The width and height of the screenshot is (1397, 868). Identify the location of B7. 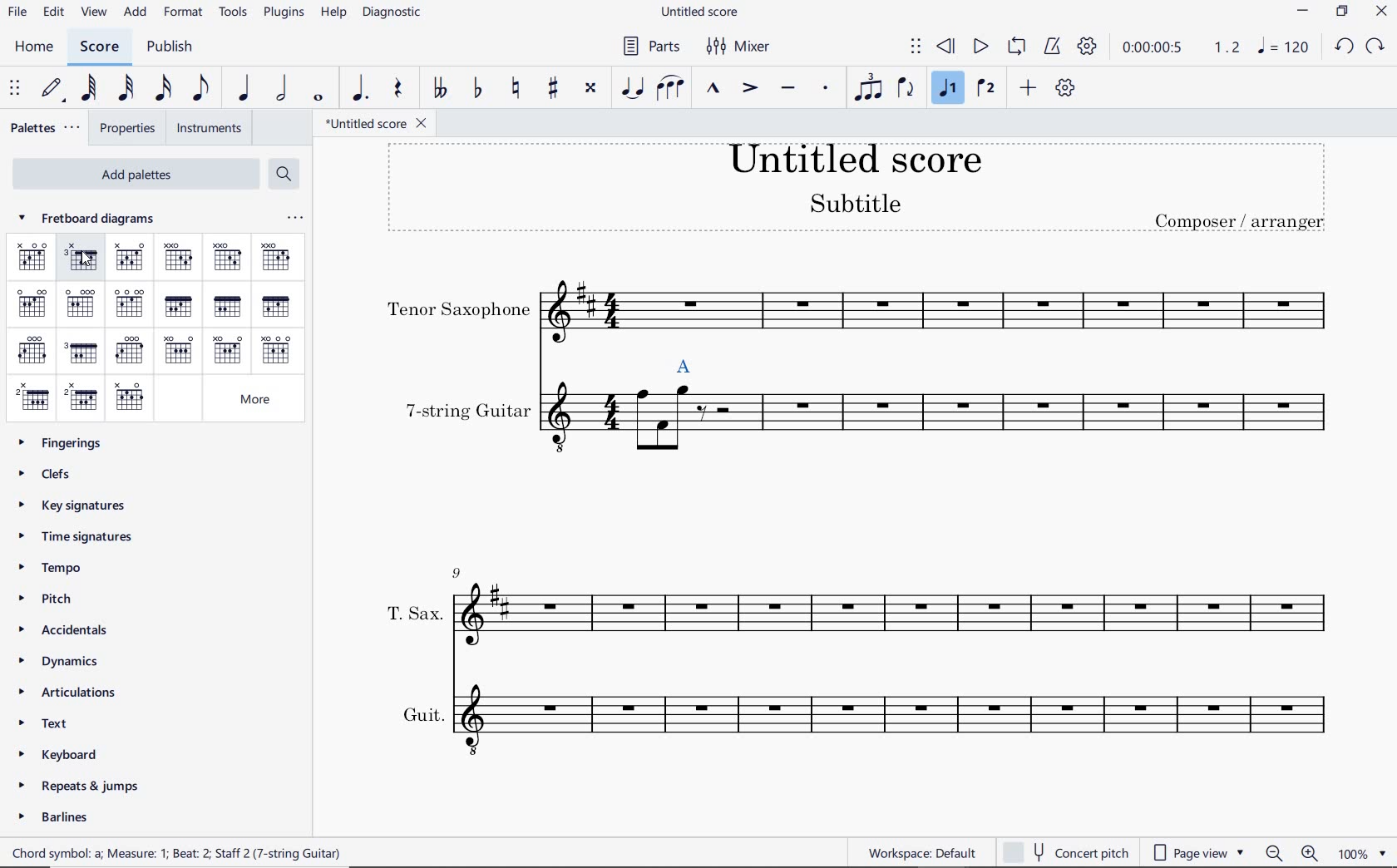
(131, 398).